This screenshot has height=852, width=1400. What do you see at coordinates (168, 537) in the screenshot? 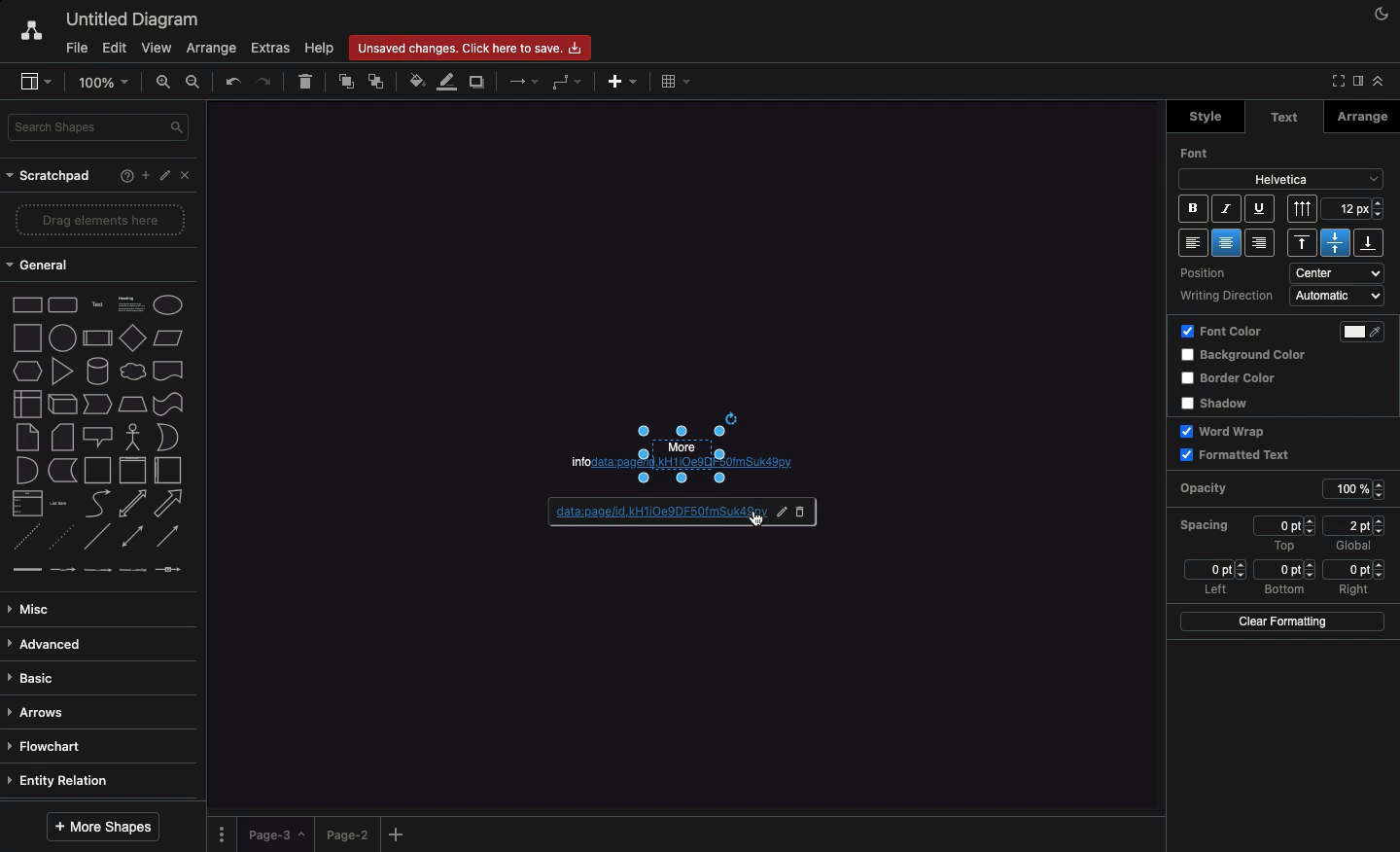
I see `directional connector` at bounding box center [168, 537].